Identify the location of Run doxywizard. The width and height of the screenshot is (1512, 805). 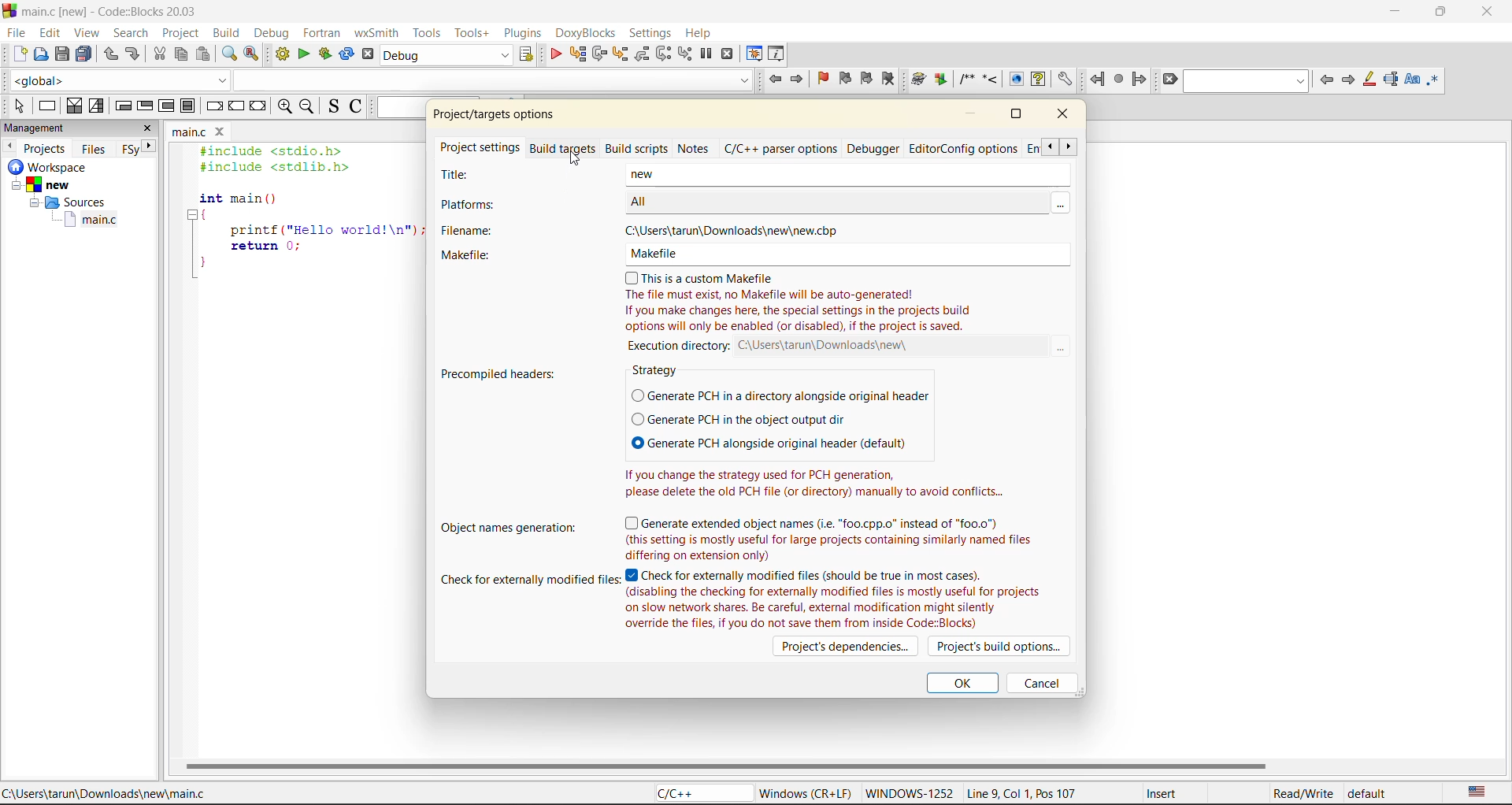
(917, 80).